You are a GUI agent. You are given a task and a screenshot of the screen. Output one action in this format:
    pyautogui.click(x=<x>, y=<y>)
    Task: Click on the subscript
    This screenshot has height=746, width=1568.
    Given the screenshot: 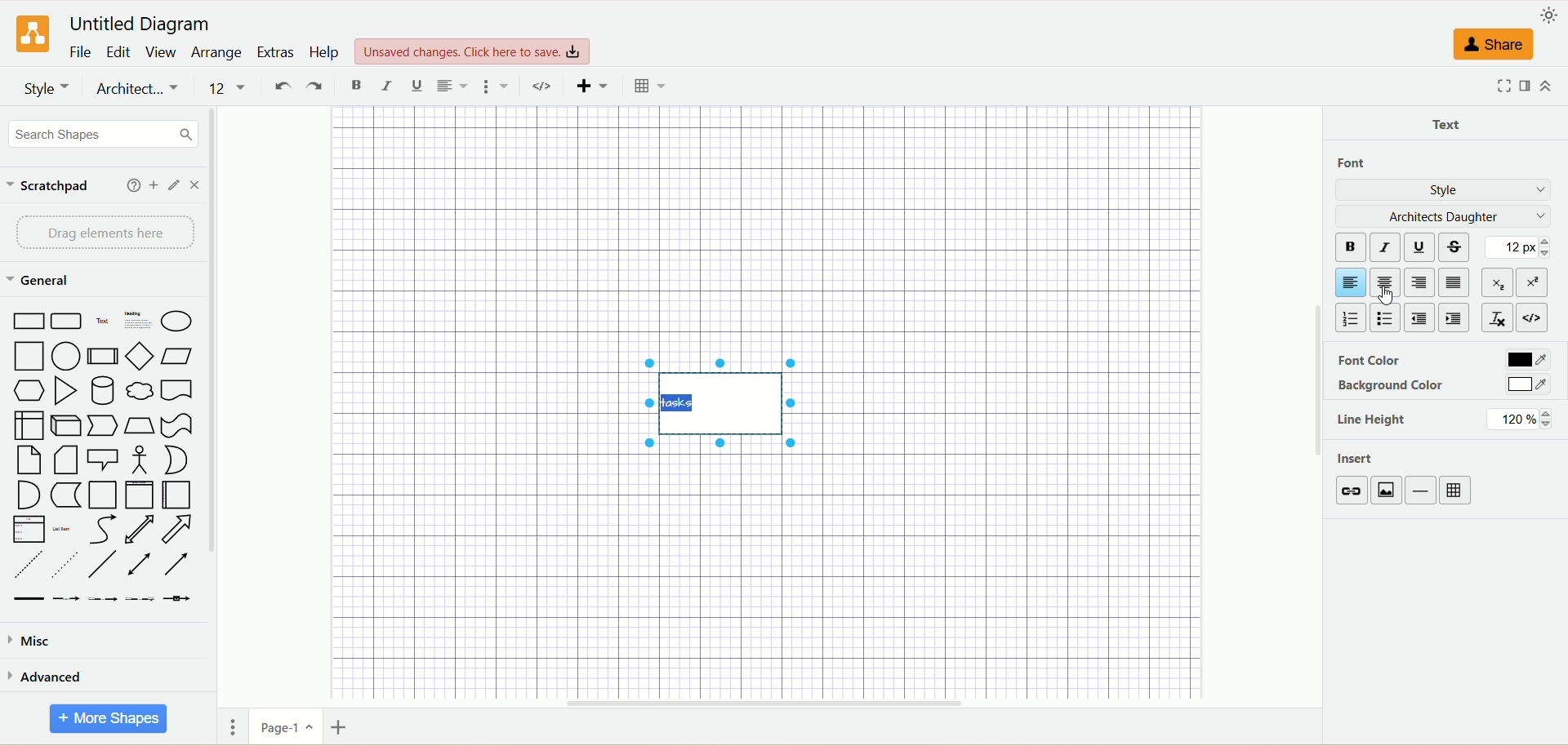 What is the action you would take?
    pyautogui.click(x=1497, y=282)
    